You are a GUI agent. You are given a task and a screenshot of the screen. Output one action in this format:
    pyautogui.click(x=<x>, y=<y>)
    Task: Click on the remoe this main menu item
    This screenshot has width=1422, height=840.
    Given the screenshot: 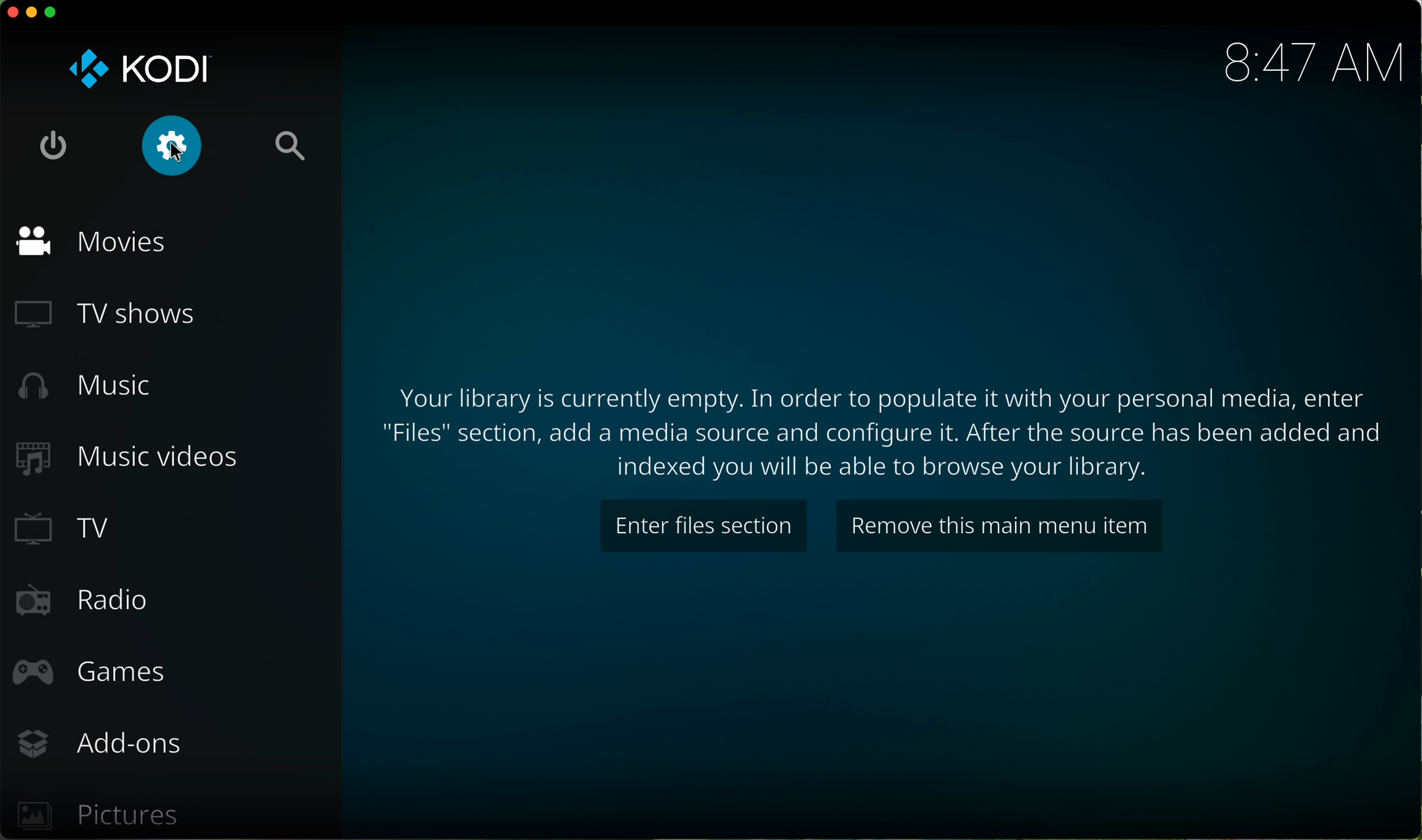 What is the action you would take?
    pyautogui.click(x=1000, y=524)
    